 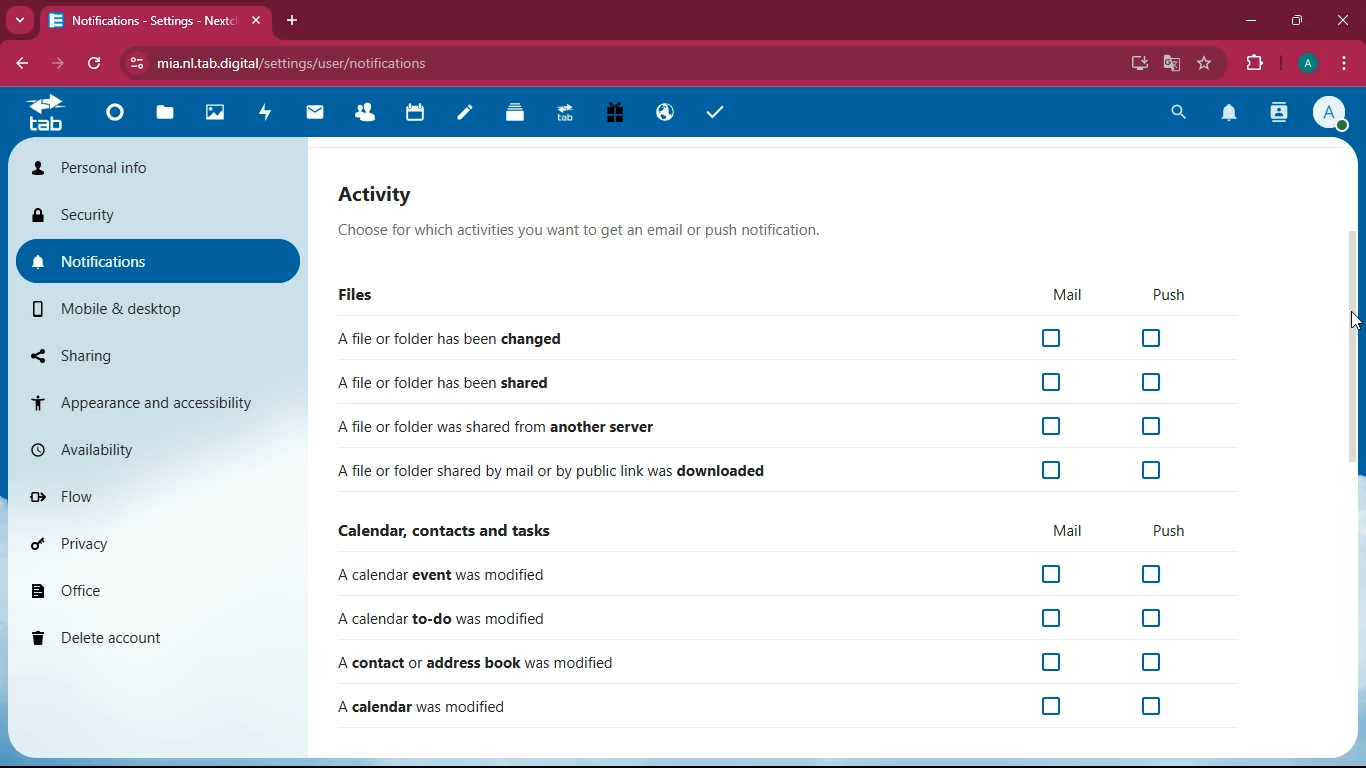 What do you see at coordinates (752, 711) in the screenshot?
I see `A calendar was modified` at bounding box center [752, 711].